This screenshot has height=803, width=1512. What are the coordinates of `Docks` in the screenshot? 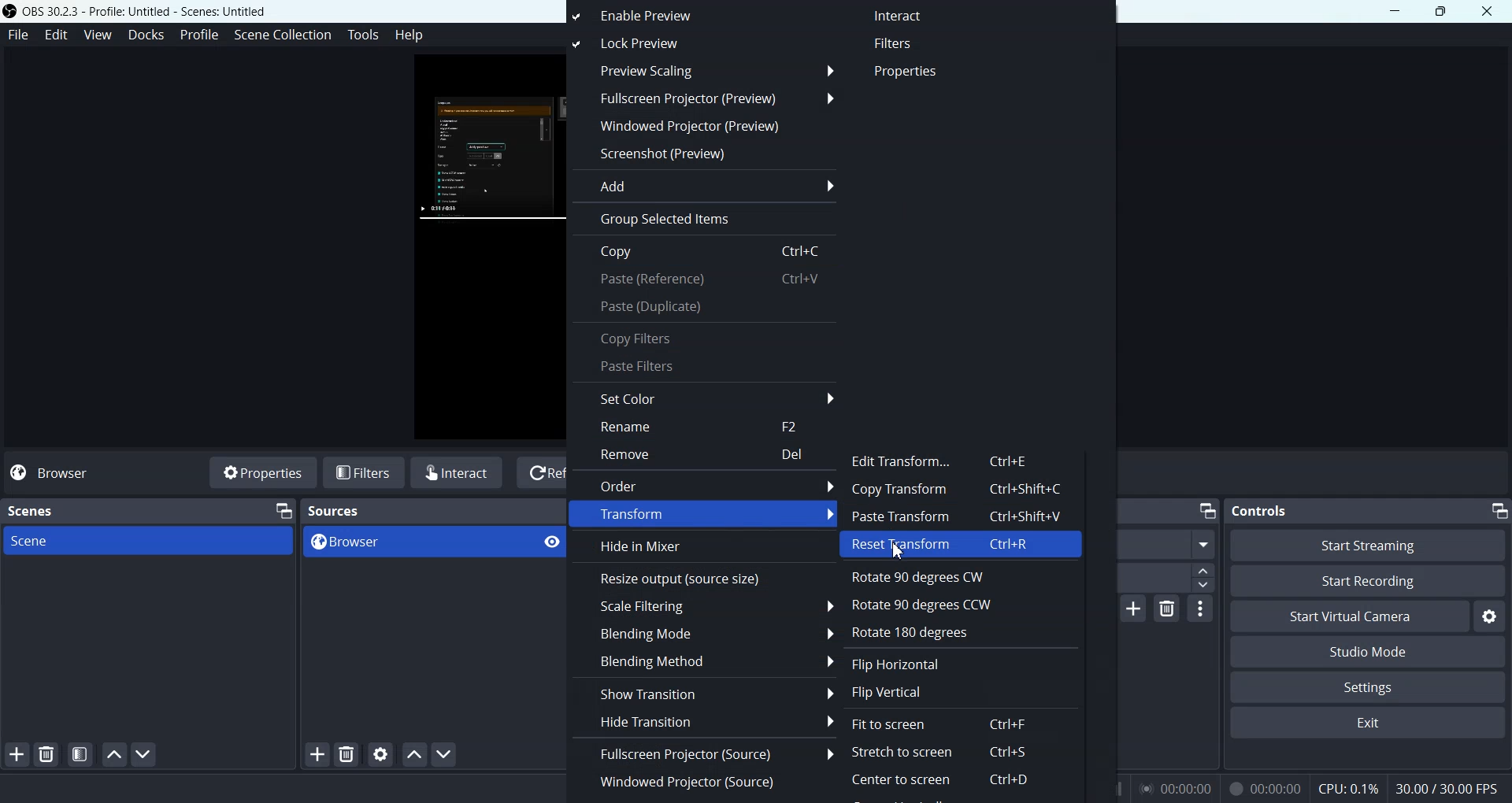 It's located at (148, 35).